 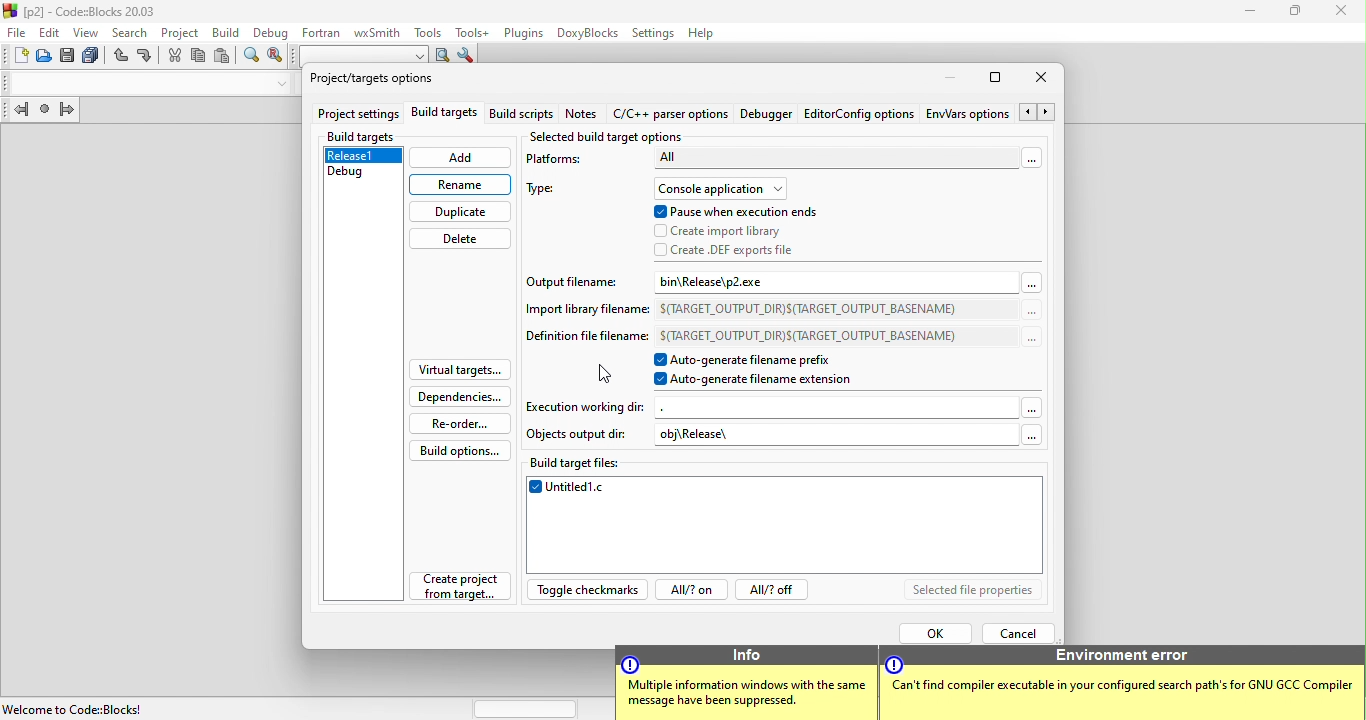 What do you see at coordinates (612, 136) in the screenshot?
I see `selected build target option` at bounding box center [612, 136].